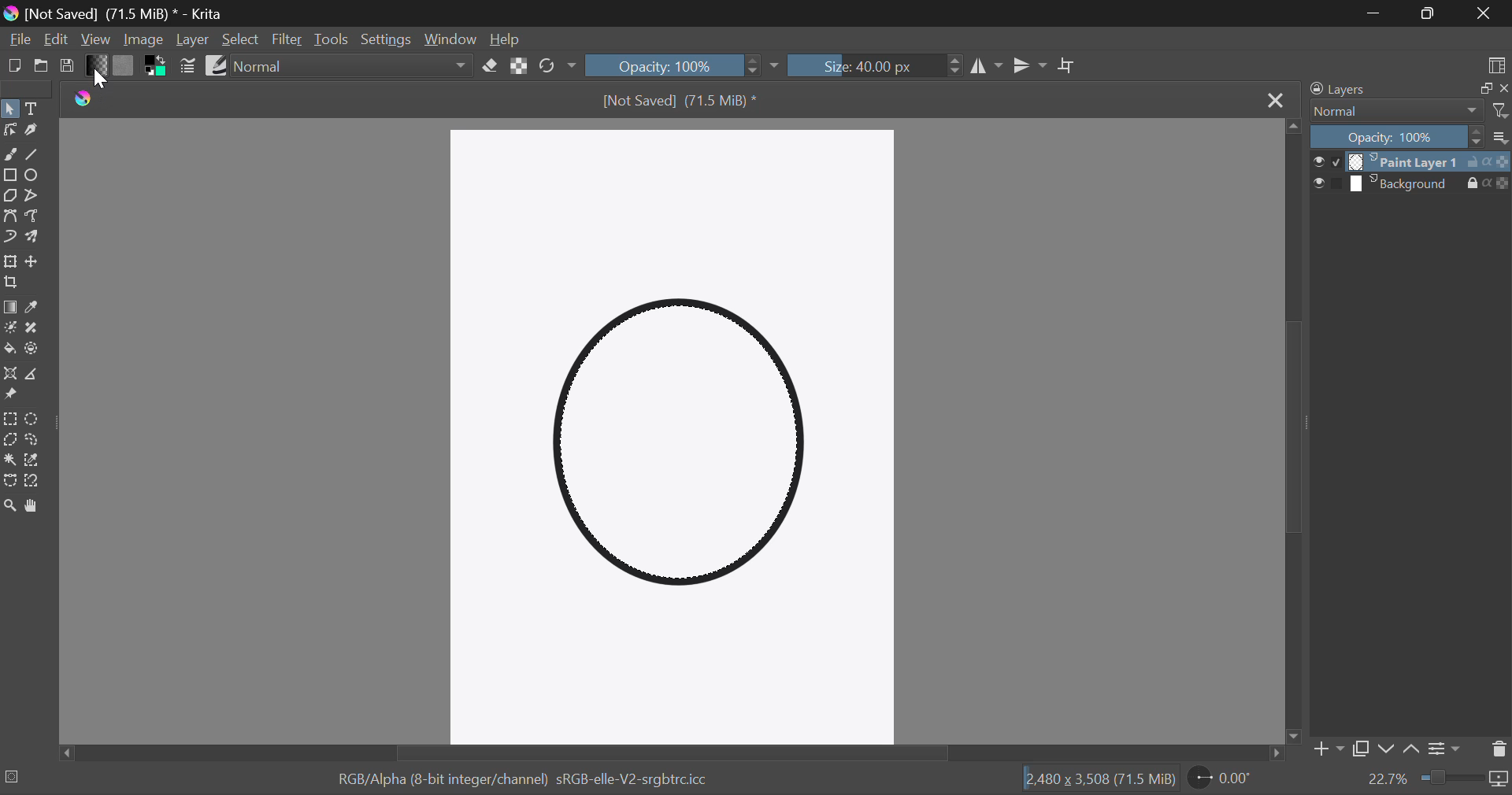 The height and width of the screenshot is (795, 1512). What do you see at coordinates (95, 40) in the screenshot?
I see `View` at bounding box center [95, 40].